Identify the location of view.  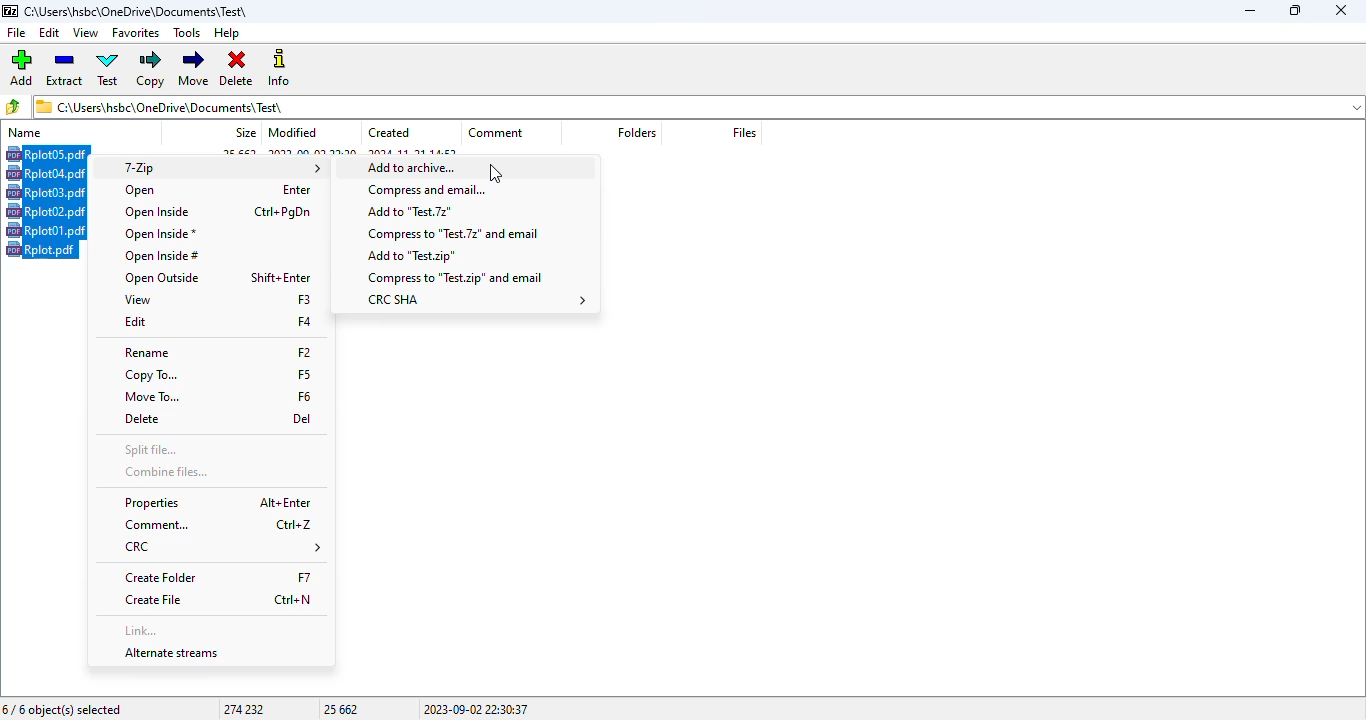
(218, 300).